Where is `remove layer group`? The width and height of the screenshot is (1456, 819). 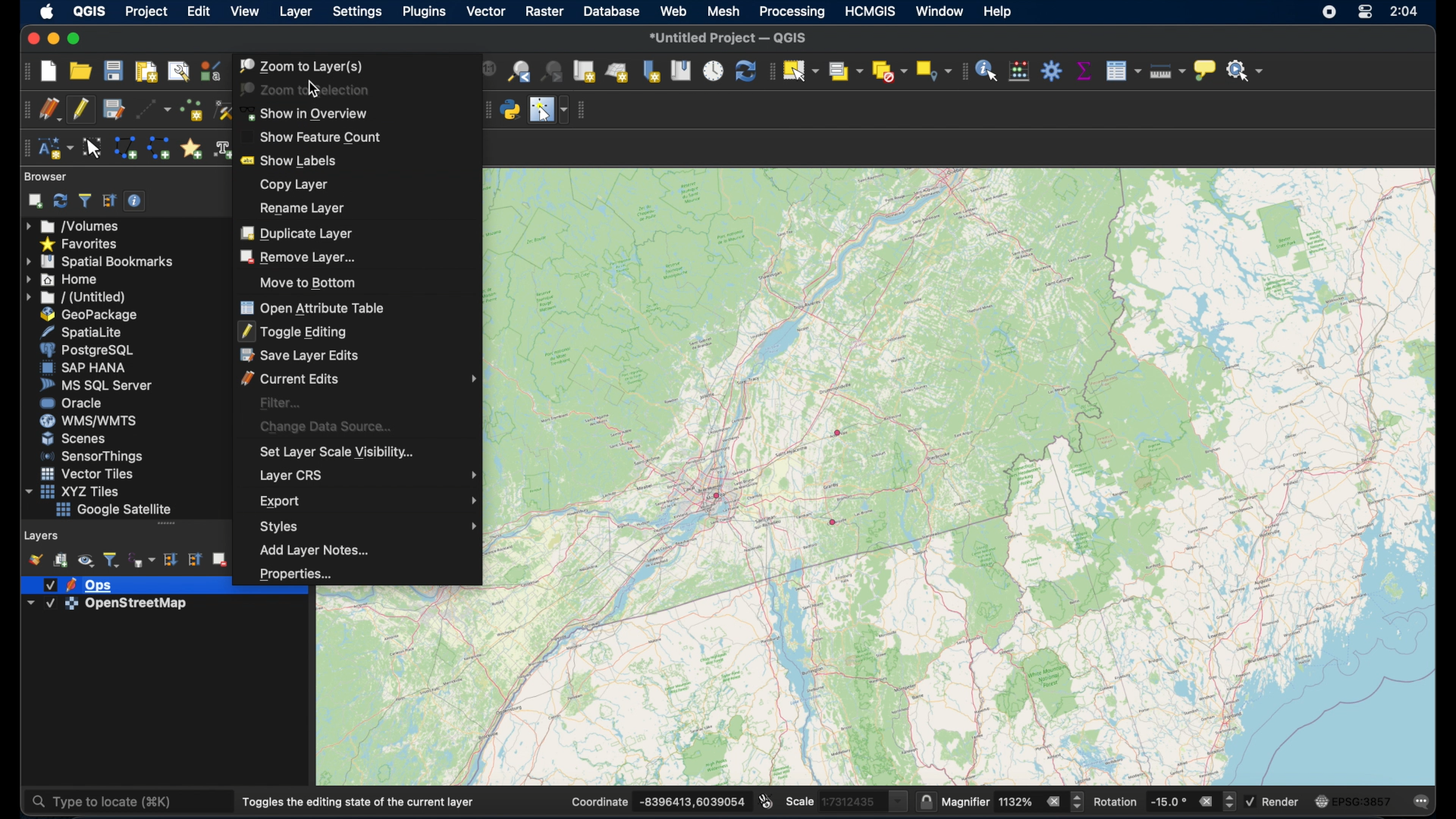
remove layer group is located at coordinates (219, 558).